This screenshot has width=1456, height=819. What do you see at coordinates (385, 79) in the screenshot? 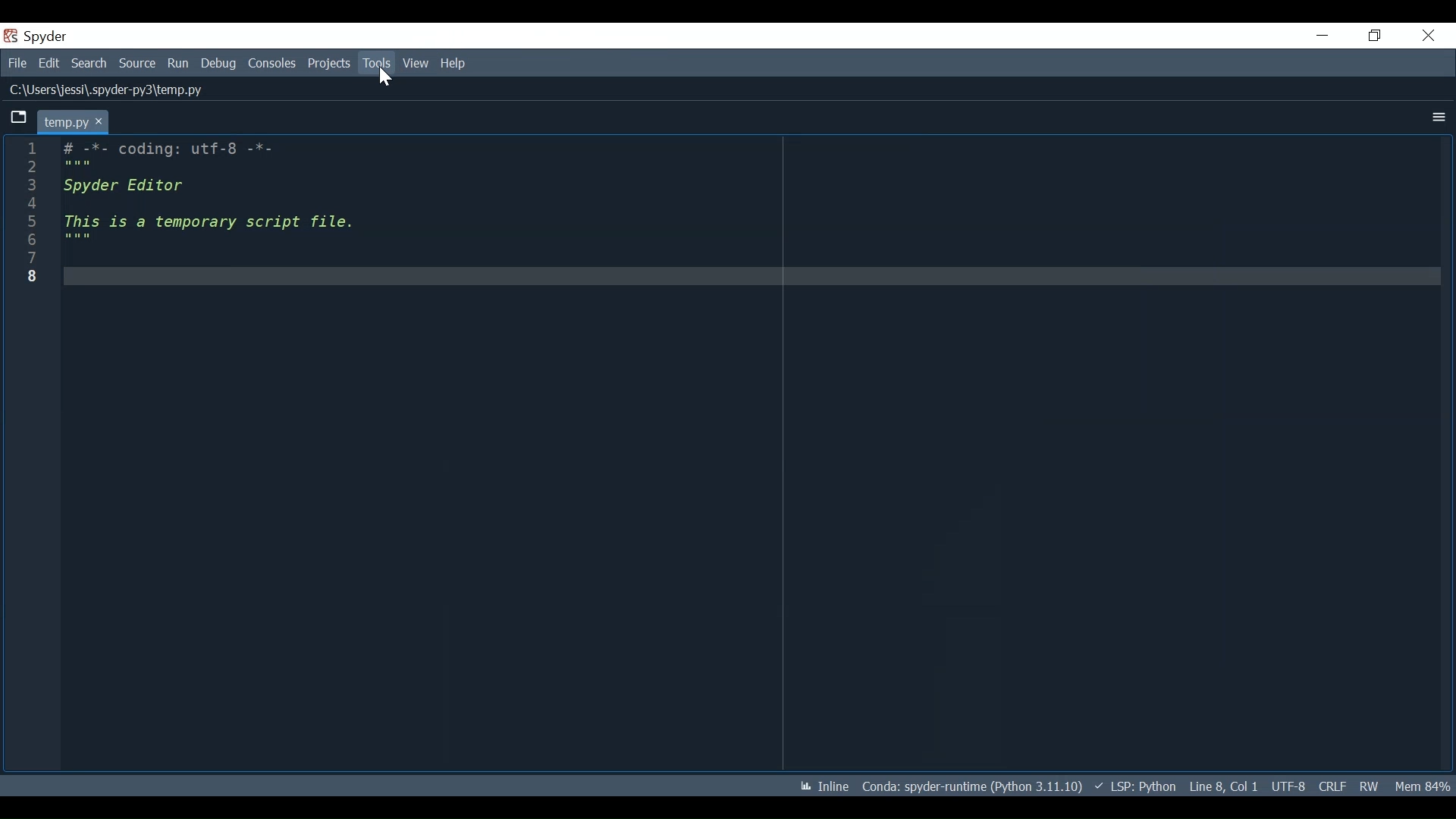
I see `Cursor` at bounding box center [385, 79].